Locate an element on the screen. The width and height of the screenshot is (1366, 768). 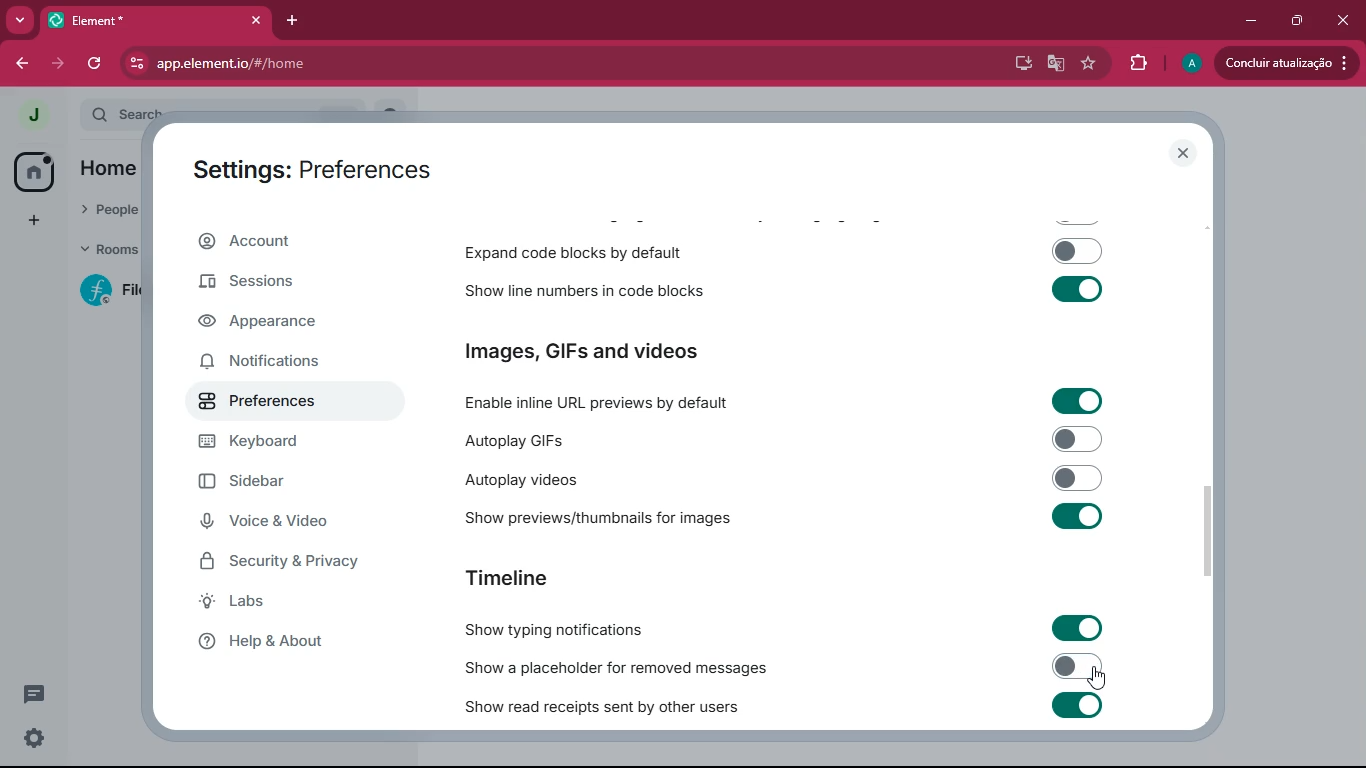
toggle on/off is located at coordinates (1077, 251).